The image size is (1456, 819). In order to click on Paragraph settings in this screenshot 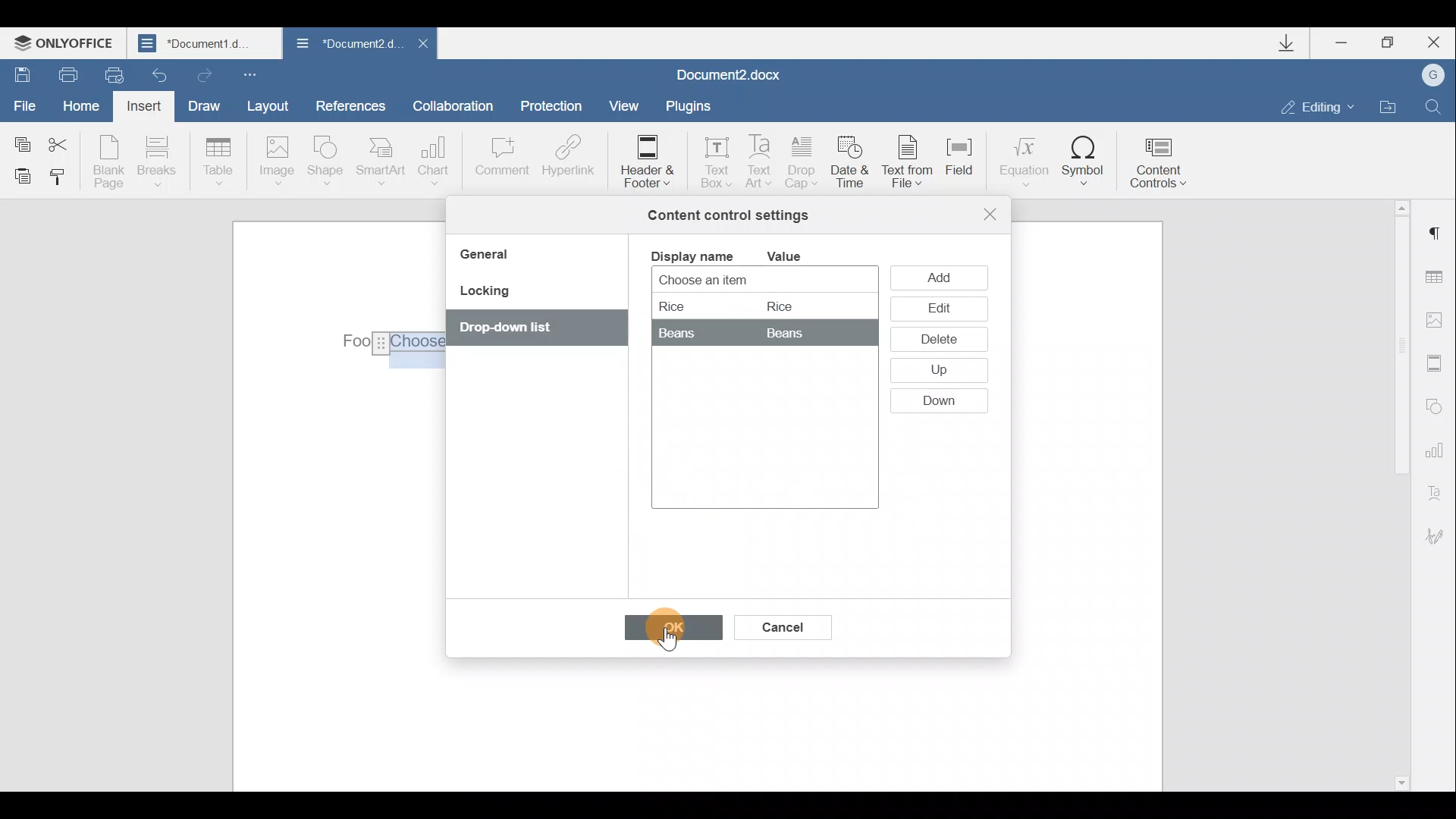, I will do `click(1436, 234)`.